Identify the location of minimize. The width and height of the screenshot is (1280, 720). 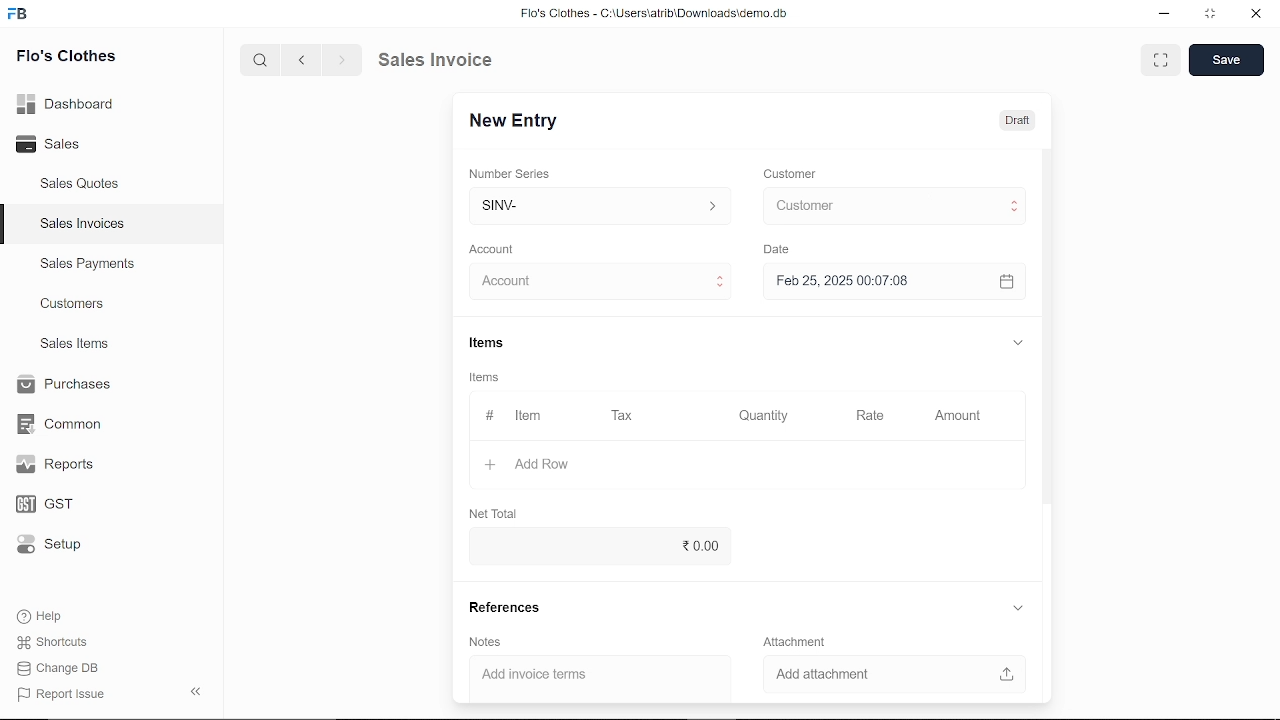
(1165, 16).